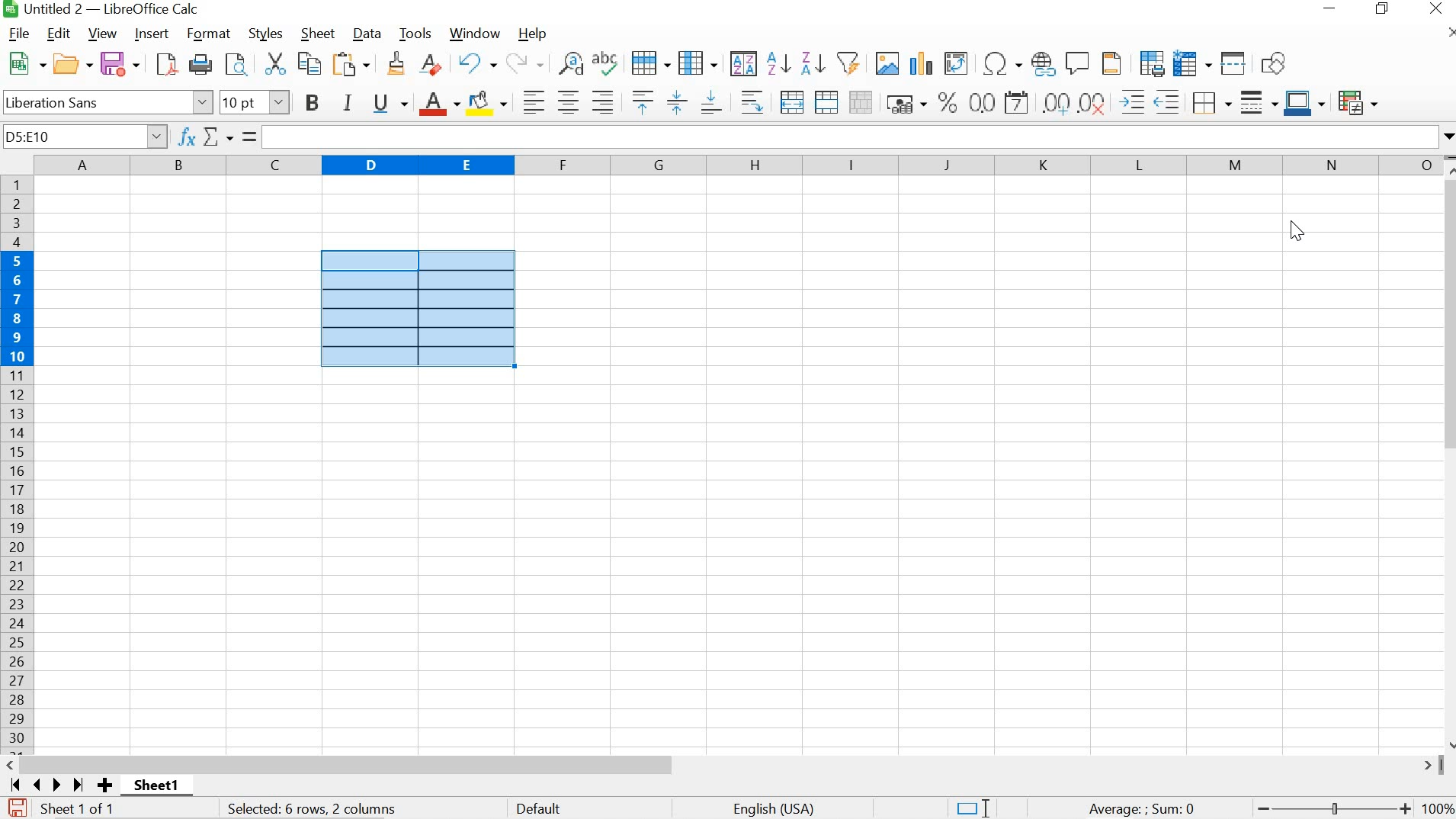 This screenshot has height=819, width=1456. What do you see at coordinates (46, 785) in the screenshot?
I see `scroll to previous or next sheet` at bounding box center [46, 785].